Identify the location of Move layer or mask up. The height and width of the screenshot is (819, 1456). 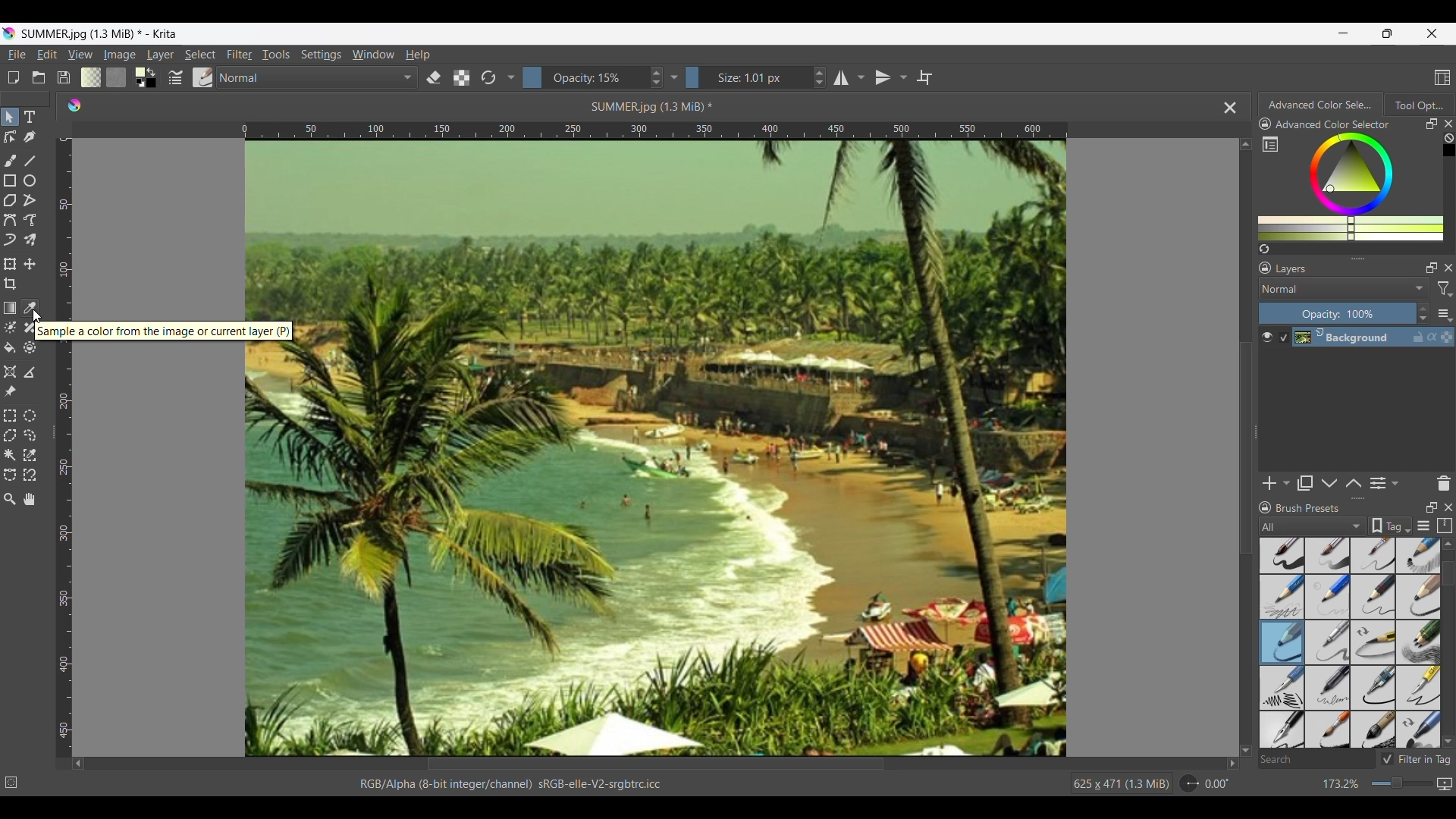
(1353, 483).